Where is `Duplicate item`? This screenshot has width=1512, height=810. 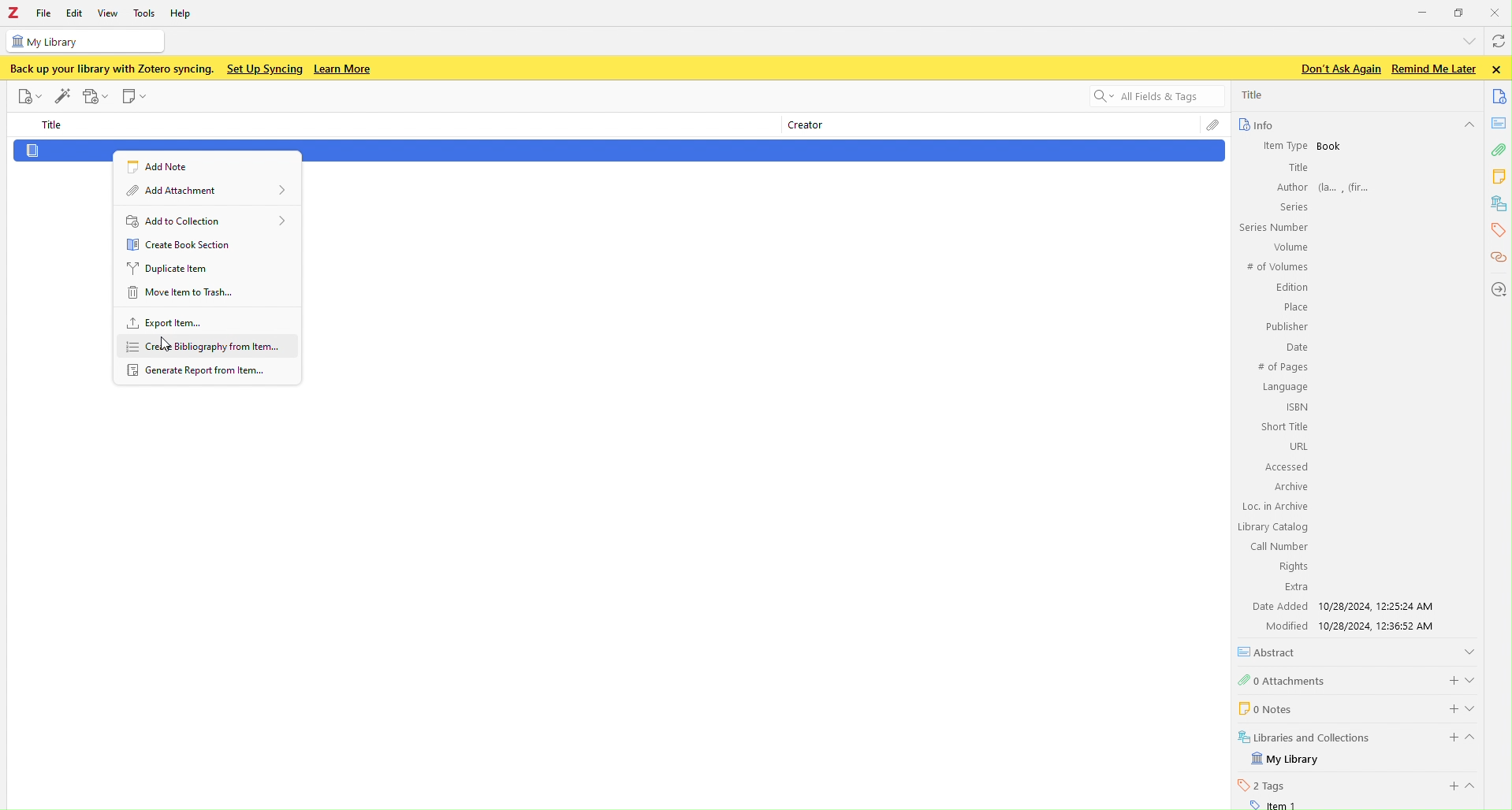
Duplicate item is located at coordinates (173, 270).